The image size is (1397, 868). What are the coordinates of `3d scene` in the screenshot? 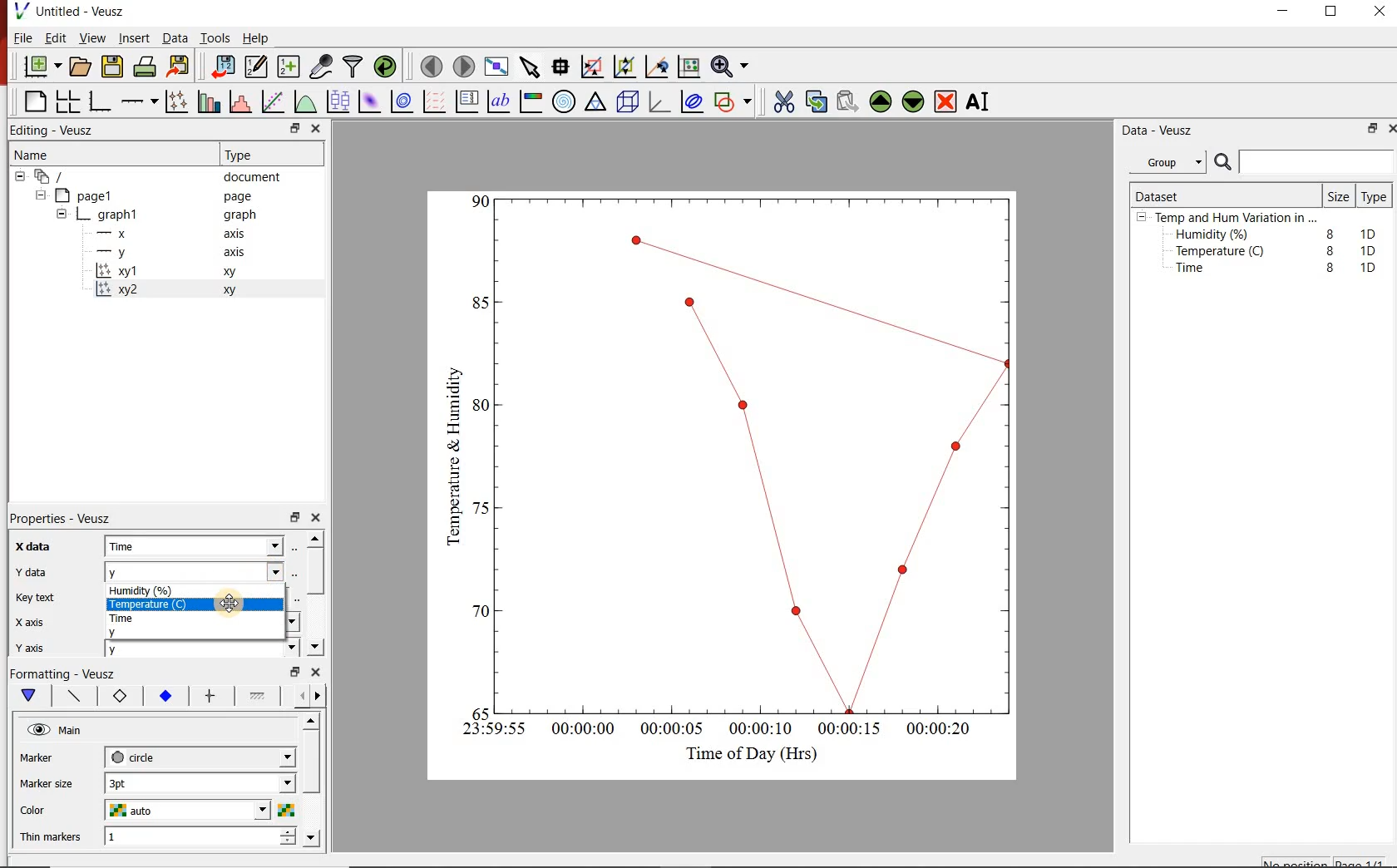 It's located at (629, 104).